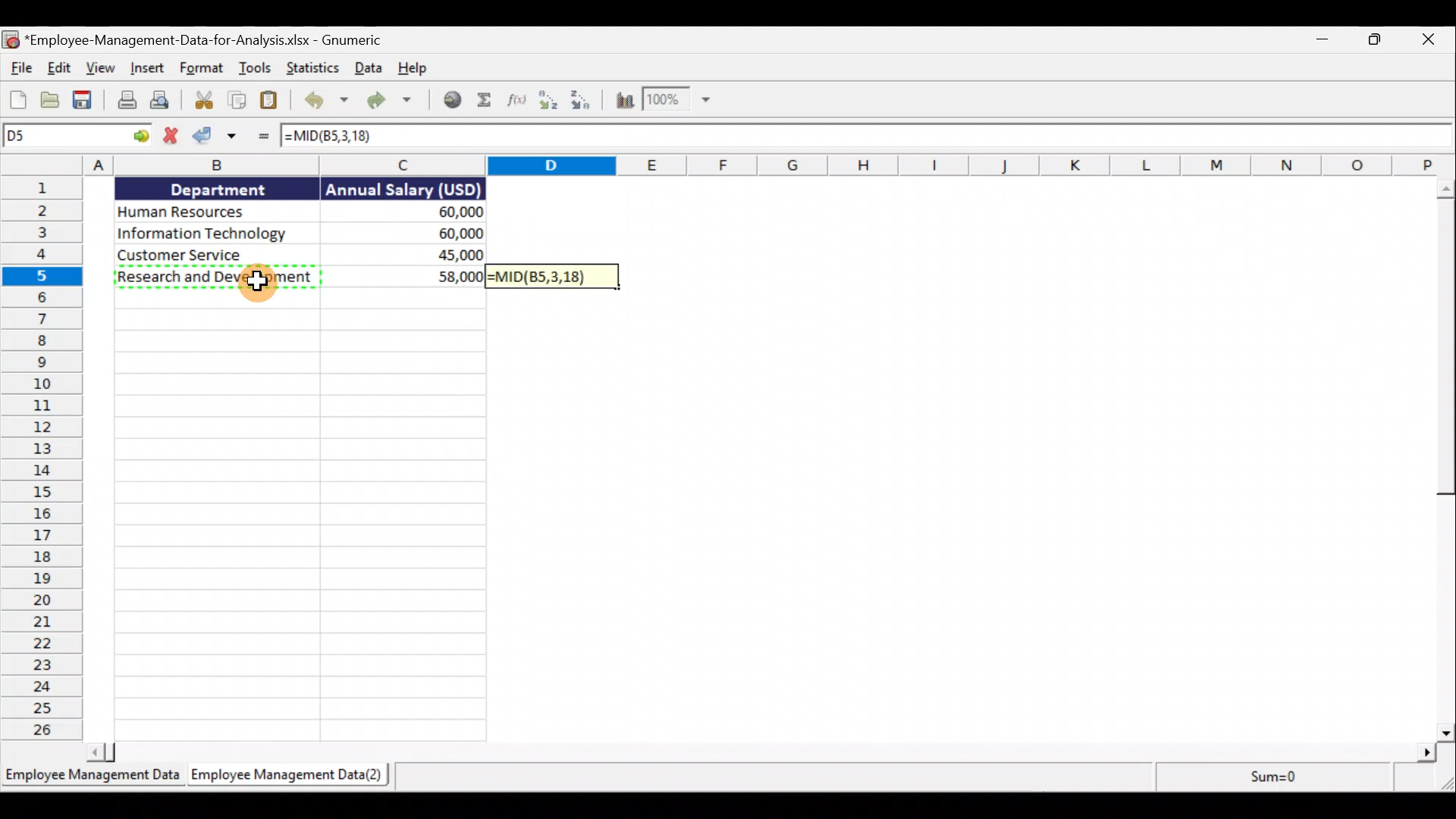  What do you see at coordinates (294, 778) in the screenshot?
I see `Sheet 2` at bounding box center [294, 778].